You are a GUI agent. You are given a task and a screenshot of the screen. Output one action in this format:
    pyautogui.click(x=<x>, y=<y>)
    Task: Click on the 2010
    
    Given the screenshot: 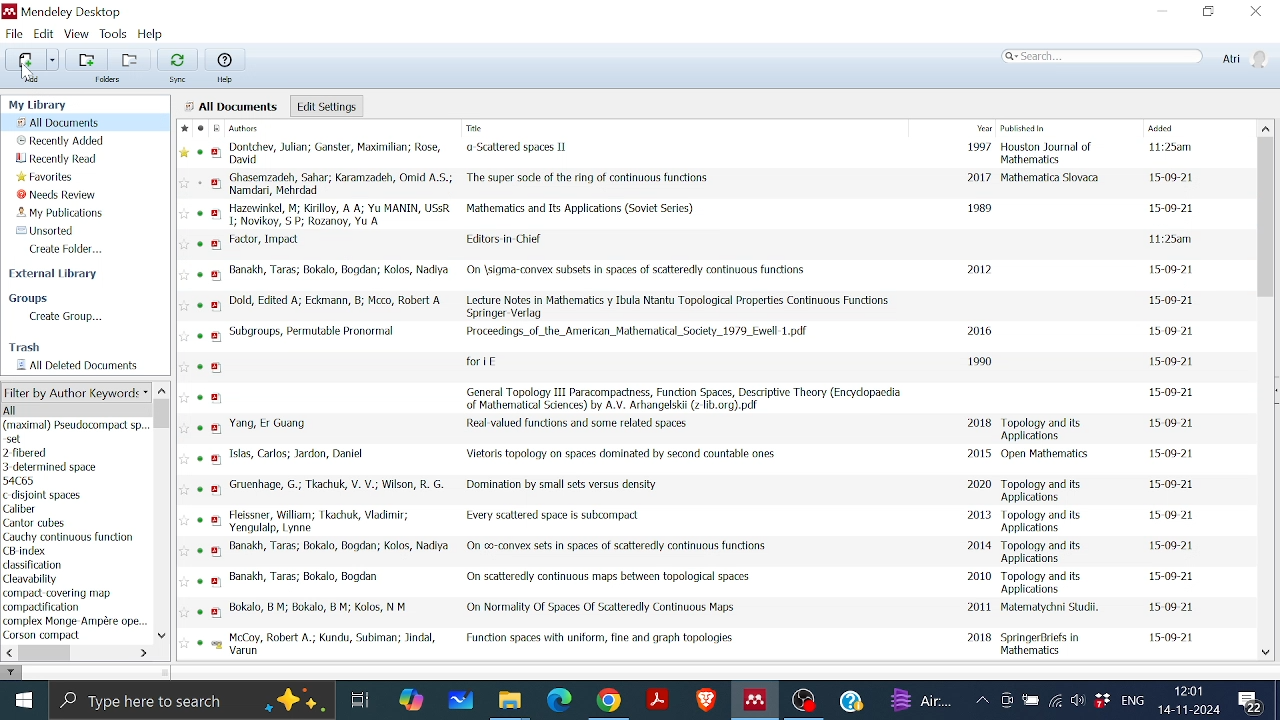 What is the action you would take?
    pyautogui.click(x=980, y=577)
    